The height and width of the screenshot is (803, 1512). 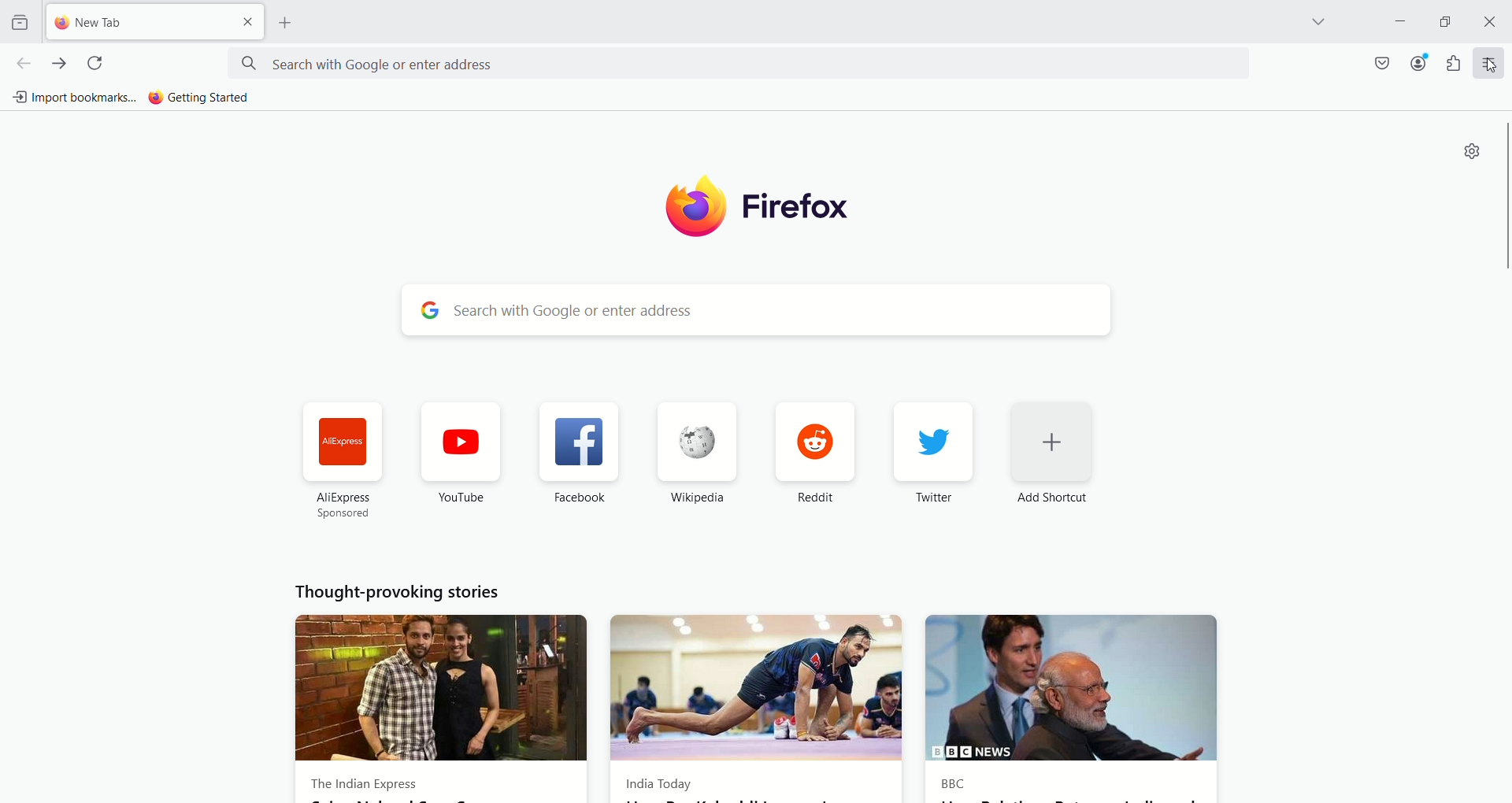 What do you see at coordinates (291, 22) in the screenshot?
I see `open a new tab` at bounding box center [291, 22].